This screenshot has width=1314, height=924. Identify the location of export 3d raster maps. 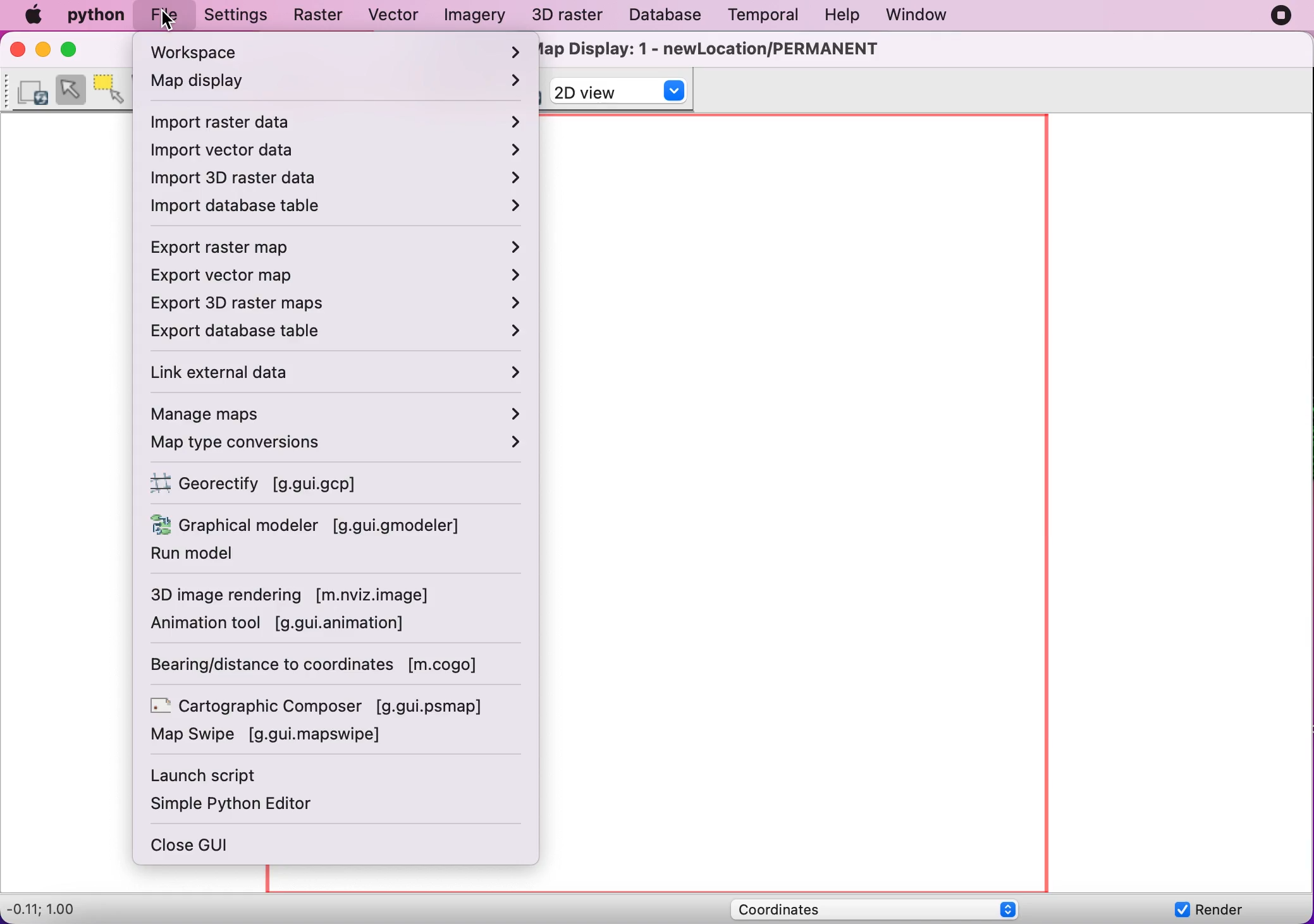
(345, 302).